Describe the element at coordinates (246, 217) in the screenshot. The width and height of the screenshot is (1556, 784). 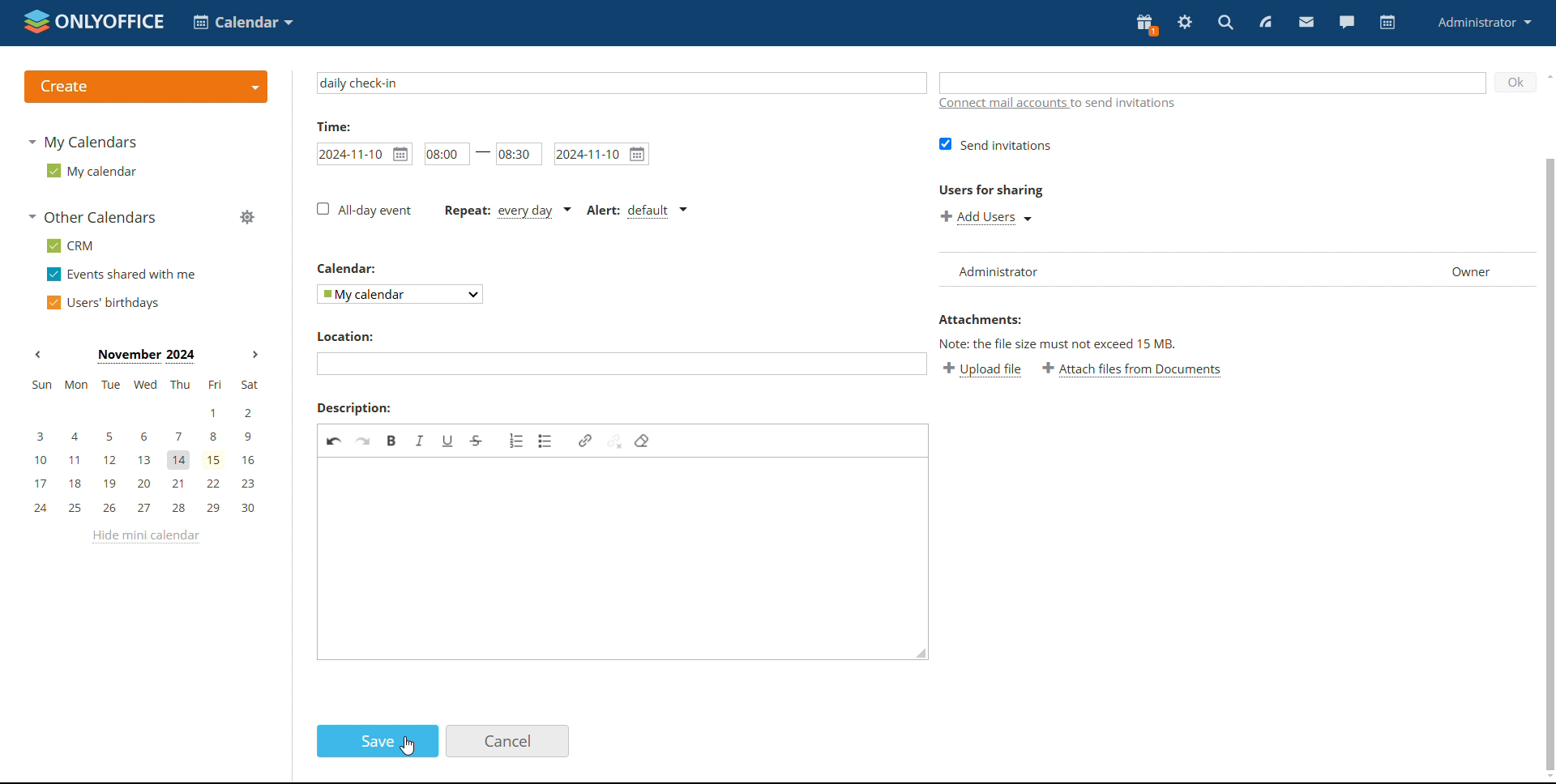
I see `manage` at that location.